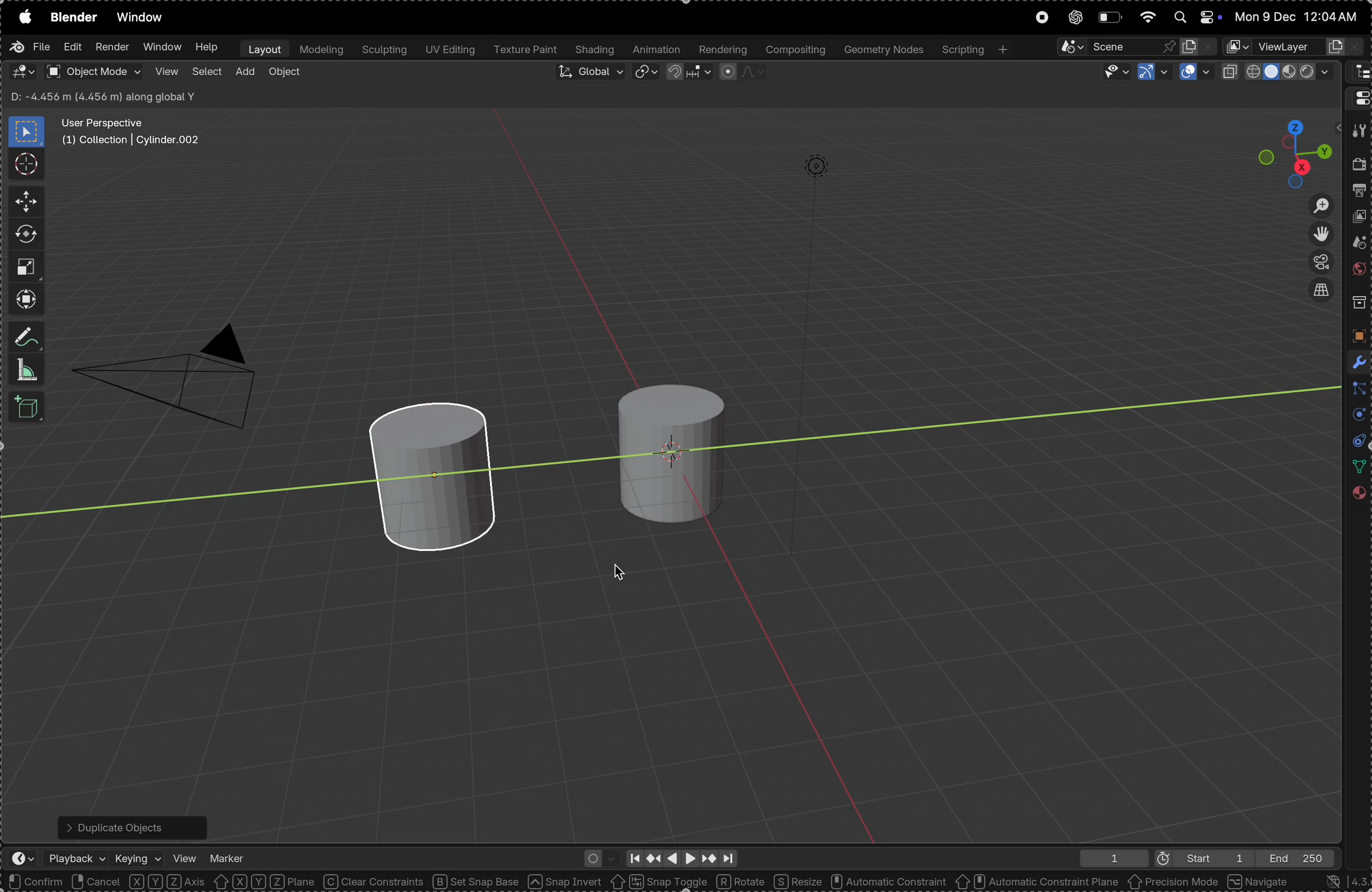 The image size is (1372, 892). I want to click on view point, so click(1296, 149).